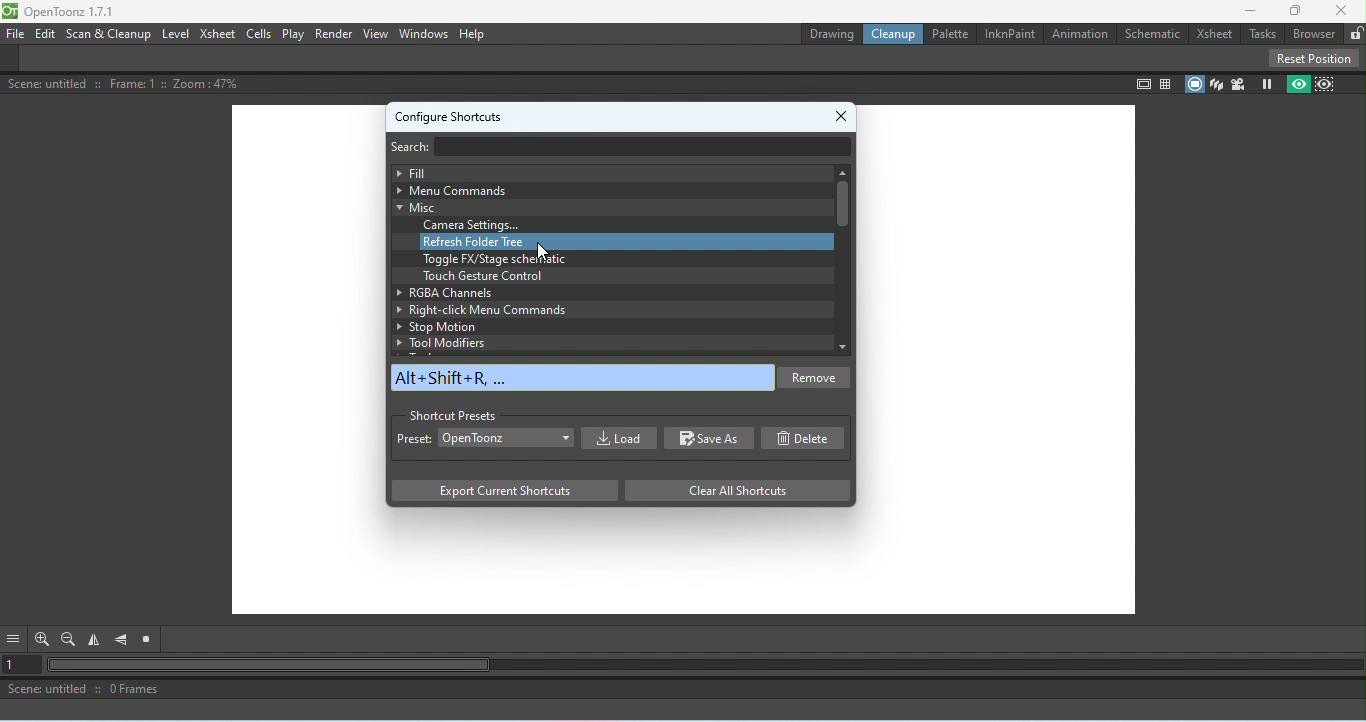 The width and height of the screenshot is (1366, 722). I want to click on Scene: untitled :: Frame: 1 :: Zoom :47%, so click(126, 84).